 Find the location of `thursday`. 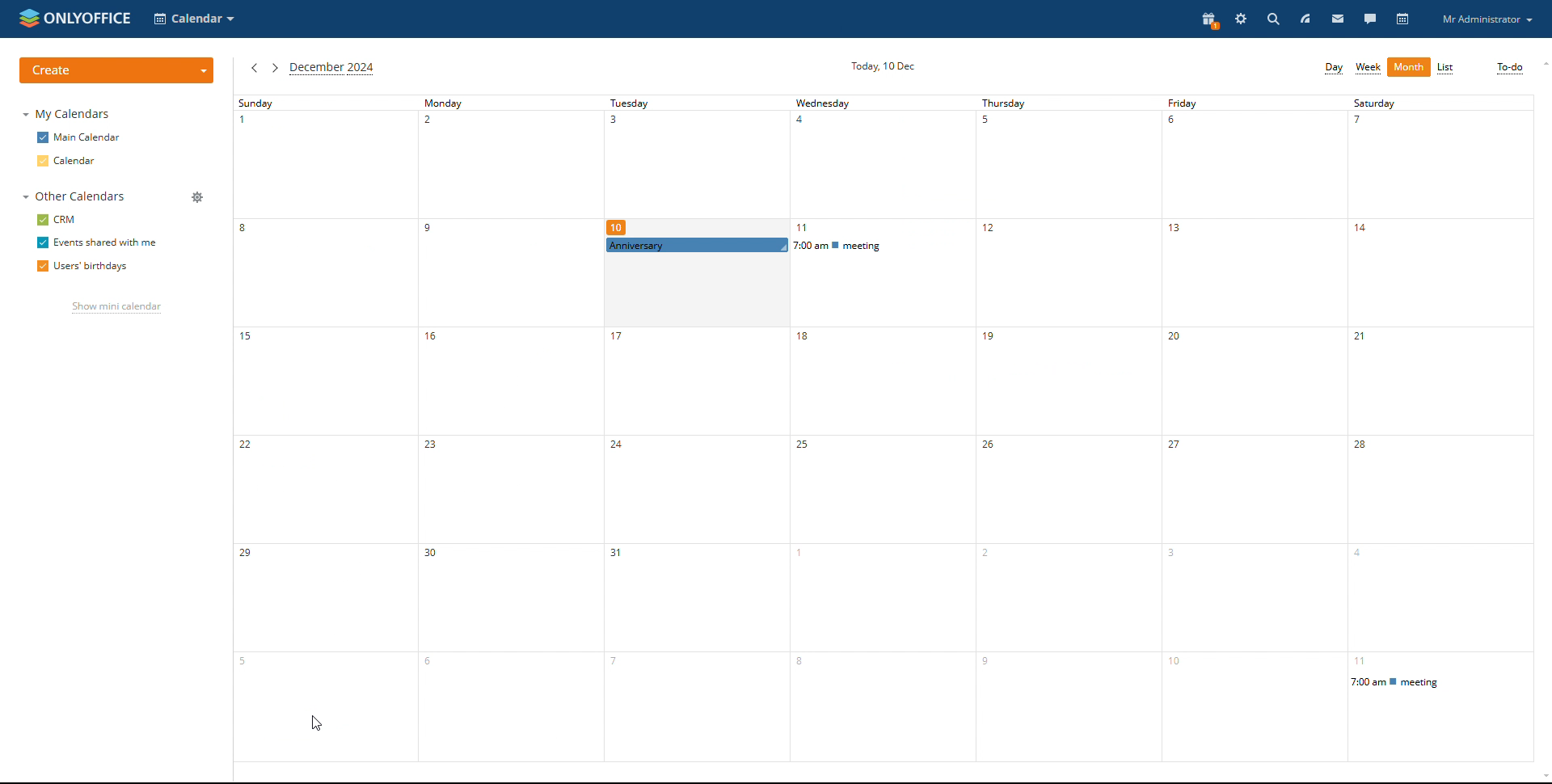

thursday is located at coordinates (1073, 428).